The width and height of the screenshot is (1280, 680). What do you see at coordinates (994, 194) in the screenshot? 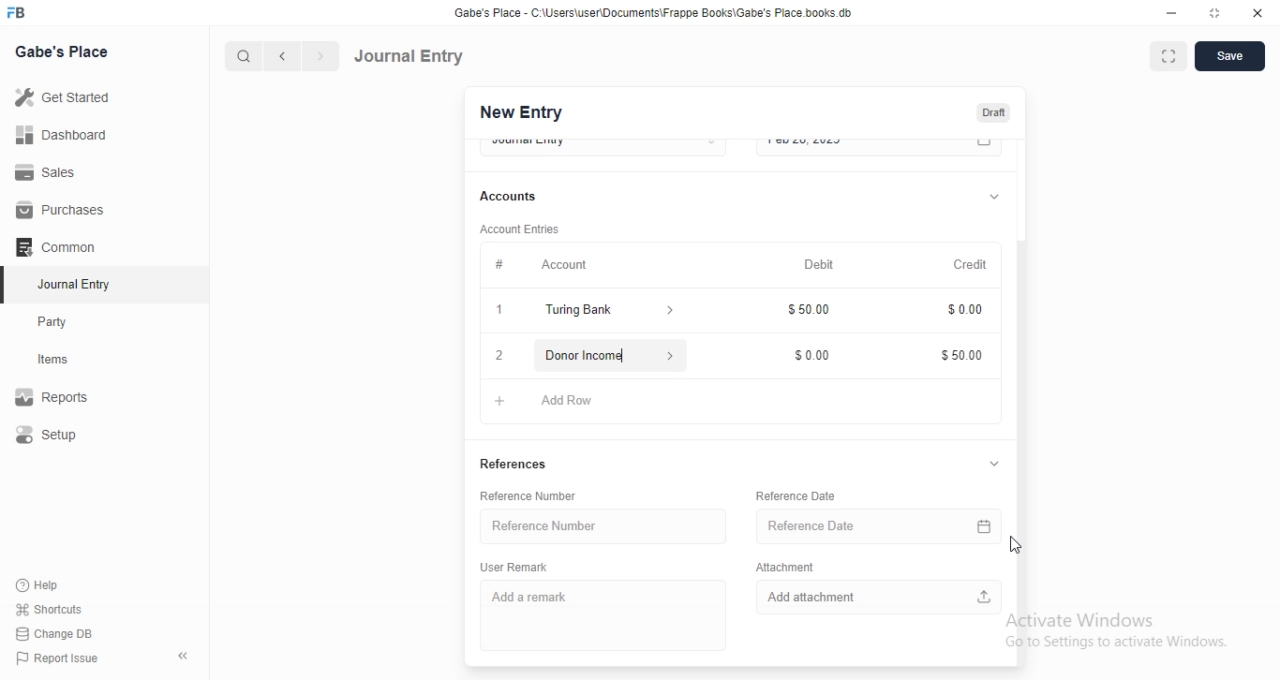
I see `collapse` at bounding box center [994, 194].